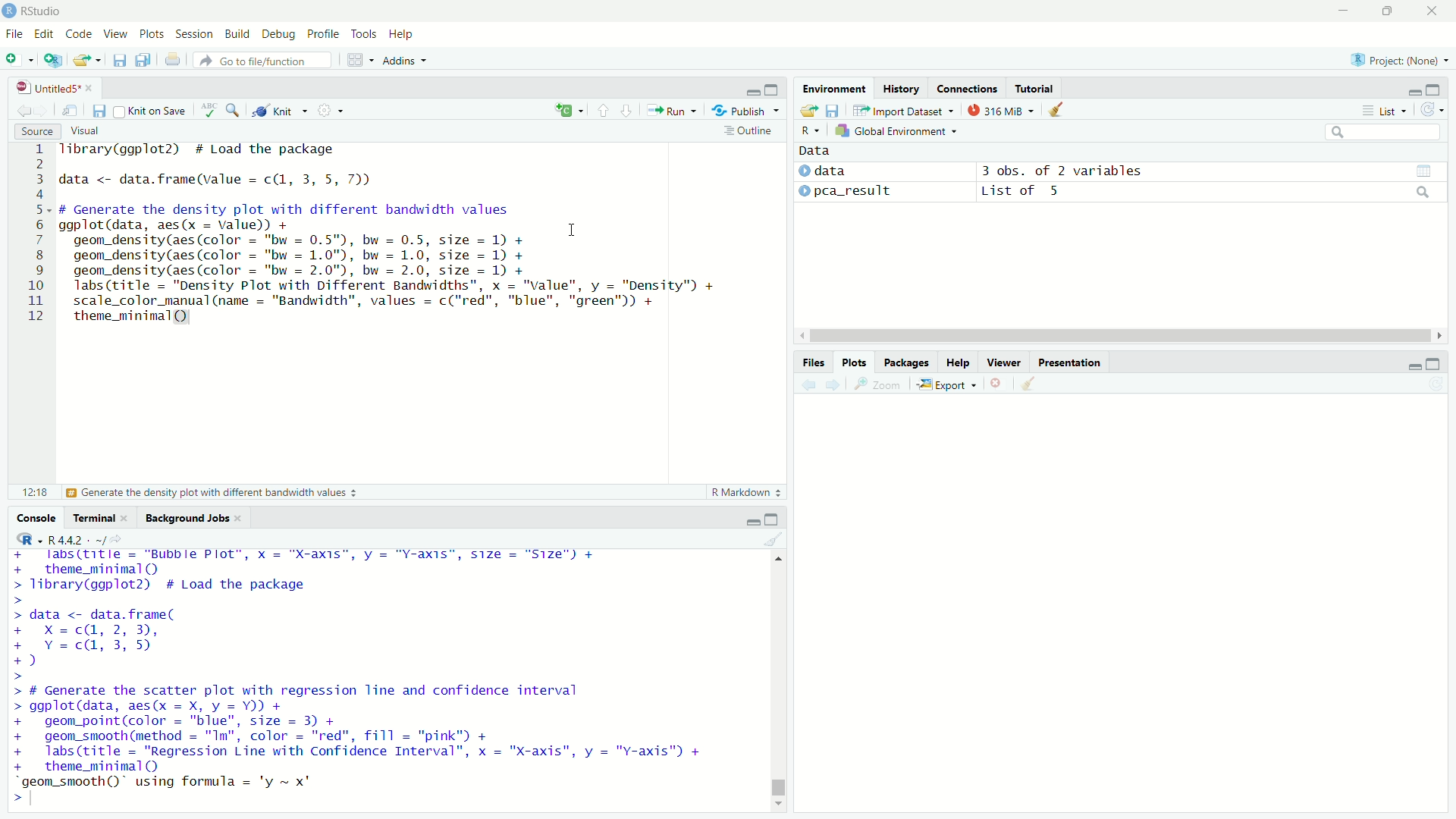 The image size is (1456, 819). What do you see at coordinates (1057, 110) in the screenshot?
I see `Clear objects from workspace` at bounding box center [1057, 110].